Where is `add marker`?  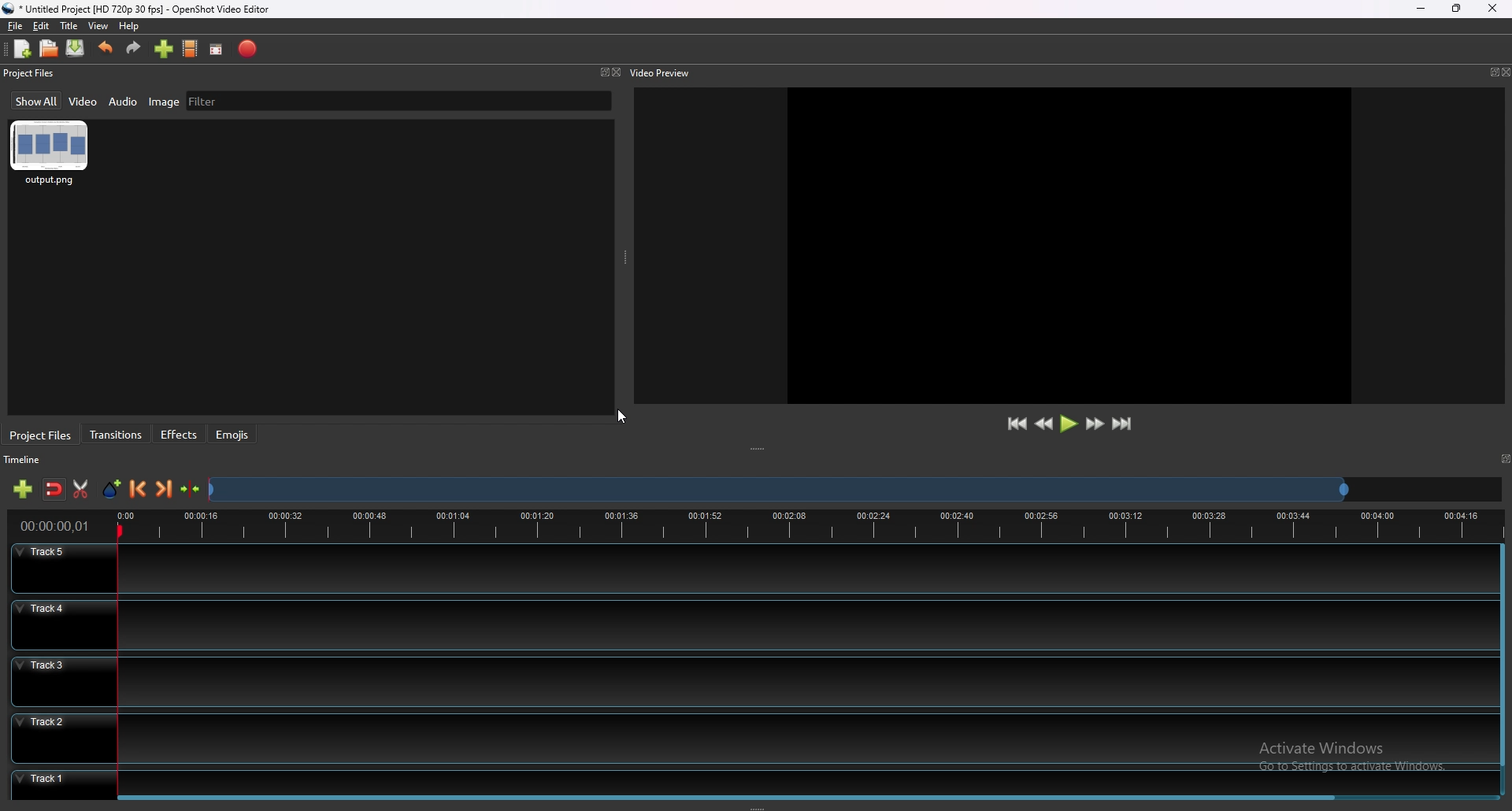
add marker is located at coordinates (113, 489).